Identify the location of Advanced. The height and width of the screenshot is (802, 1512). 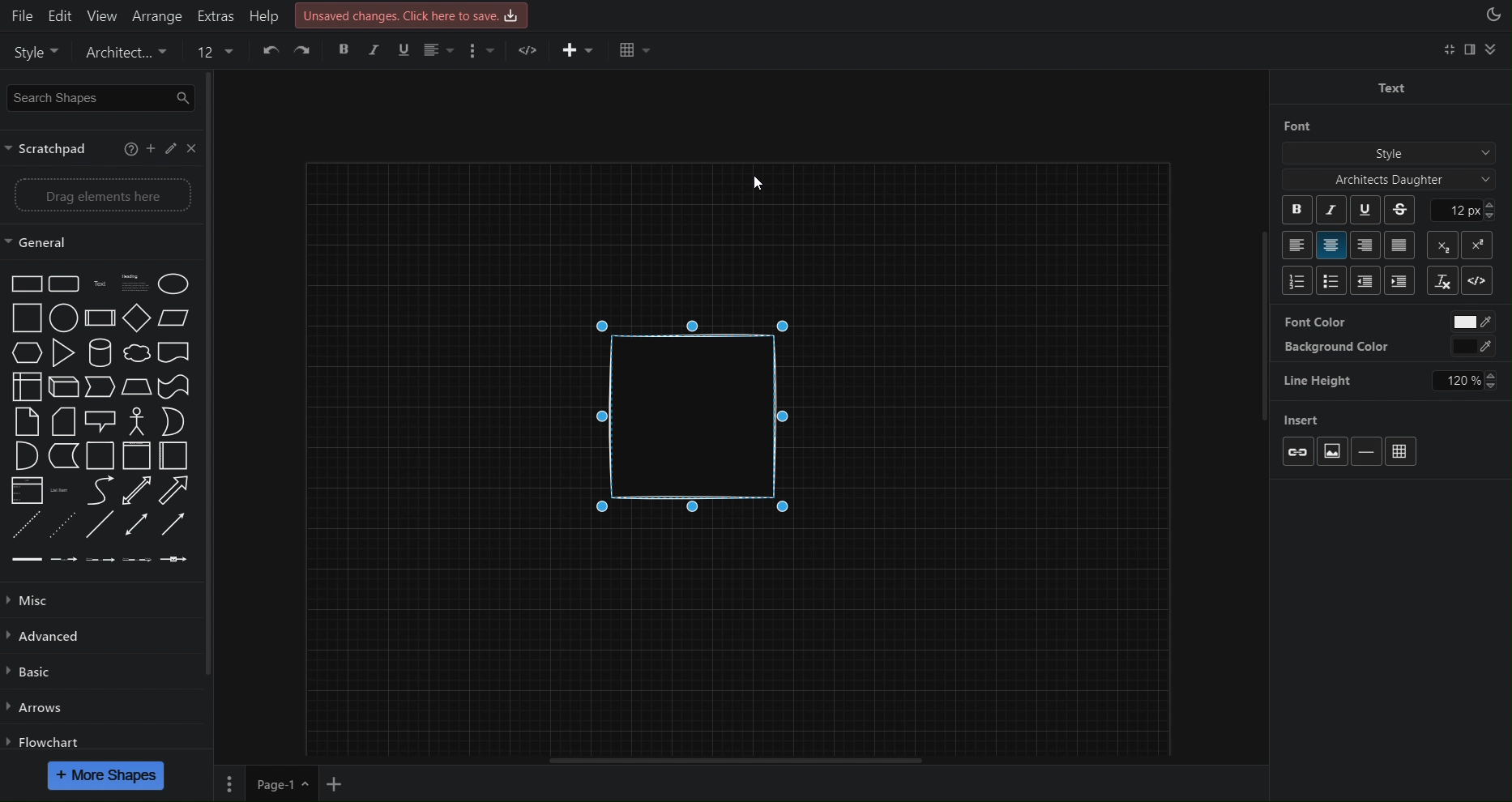
(46, 638).